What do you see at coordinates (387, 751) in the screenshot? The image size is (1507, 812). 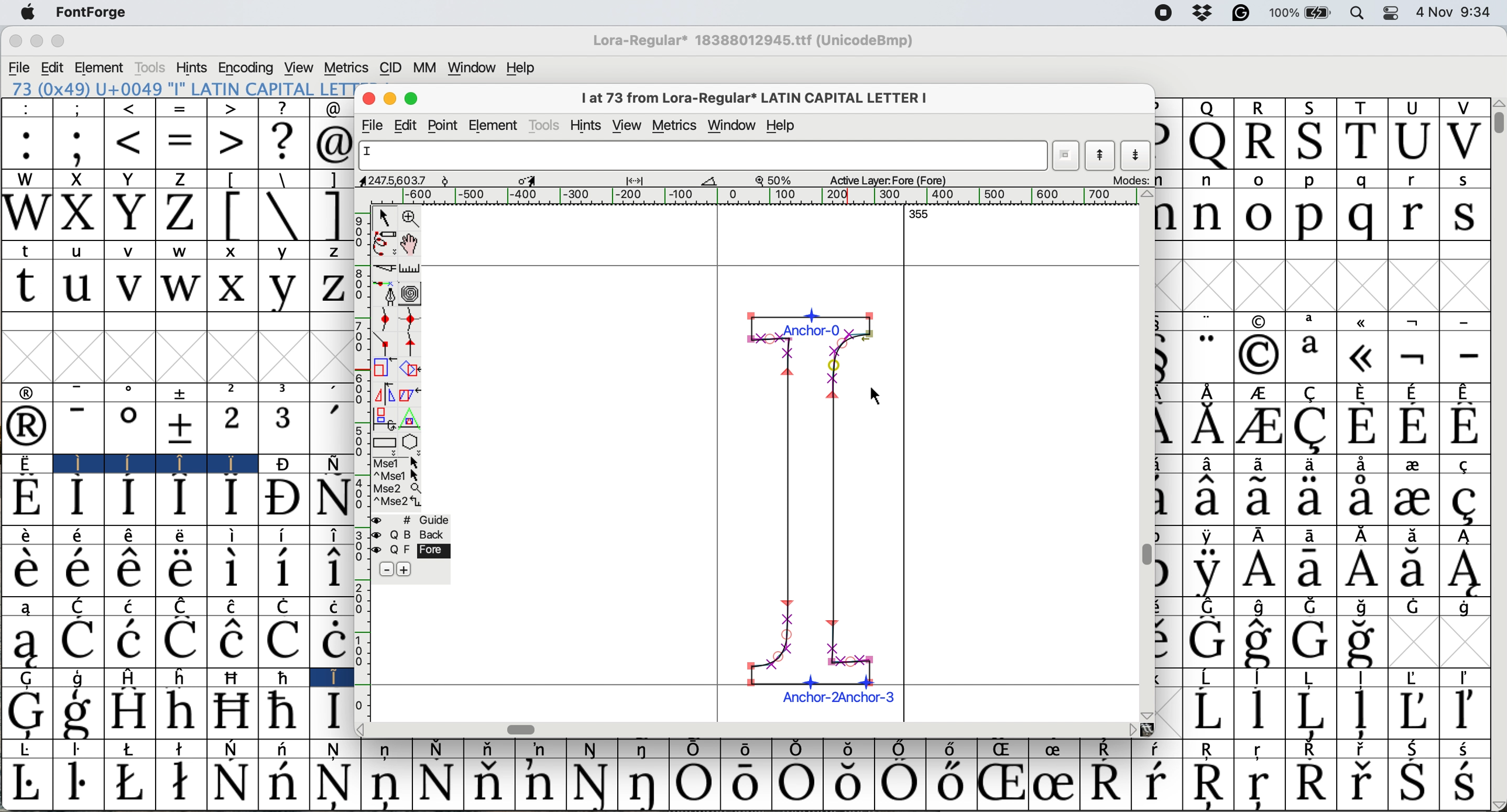 I see `Symbol` at bounding box center [387, 751].